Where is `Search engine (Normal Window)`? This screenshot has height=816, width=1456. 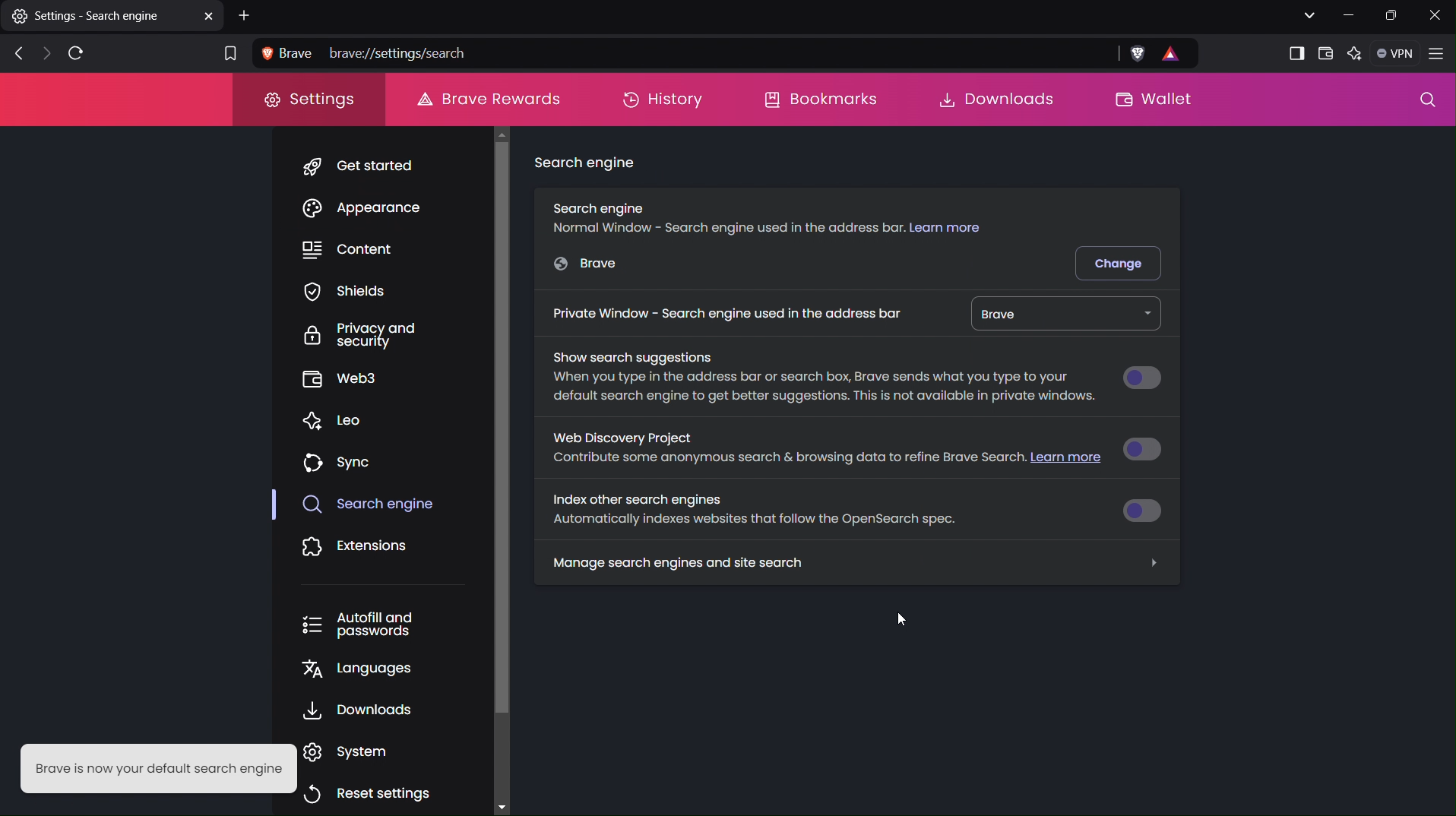 Search engine (Normal Window) is located at coordinates (771, 214).